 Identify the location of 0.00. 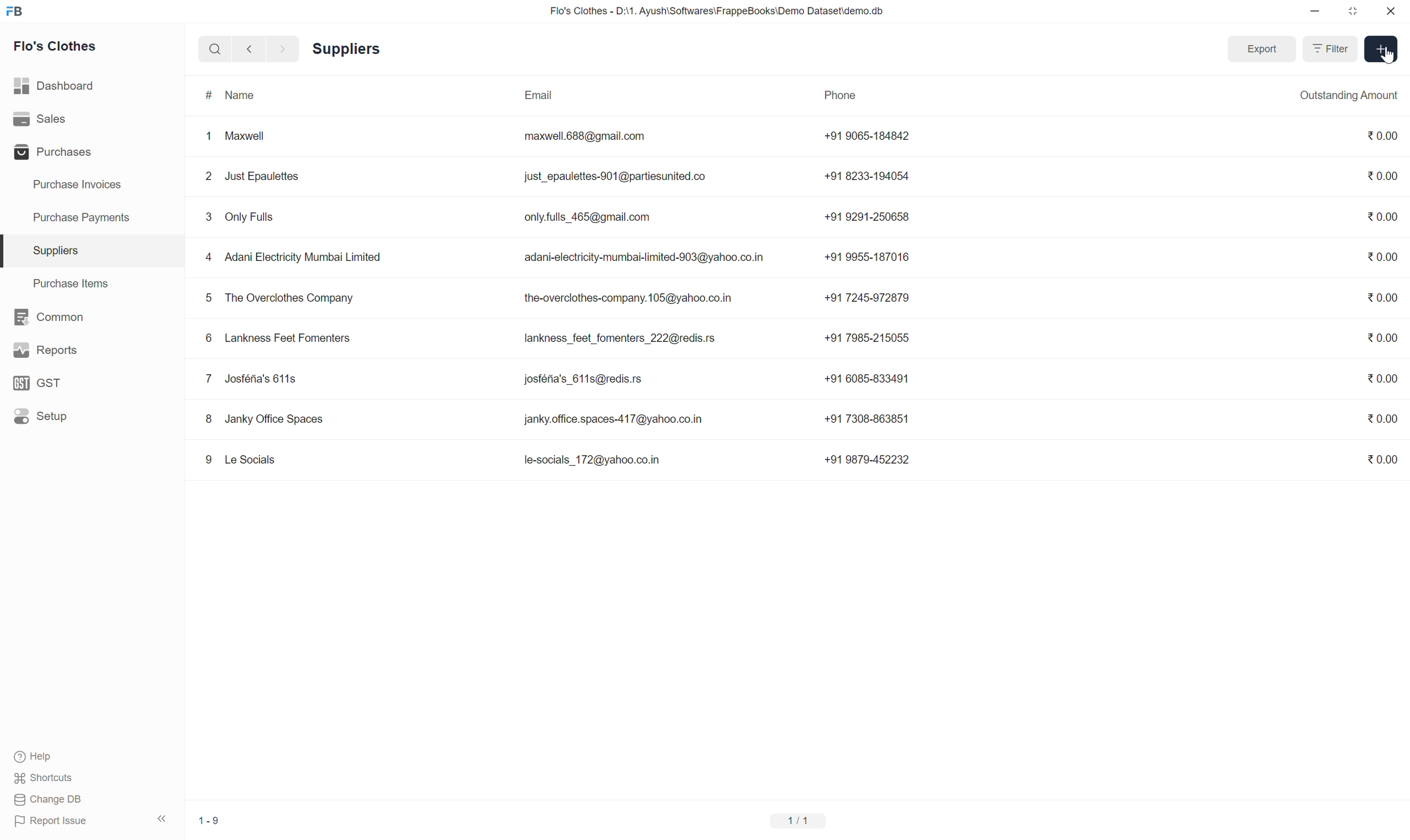
(1381, 175).